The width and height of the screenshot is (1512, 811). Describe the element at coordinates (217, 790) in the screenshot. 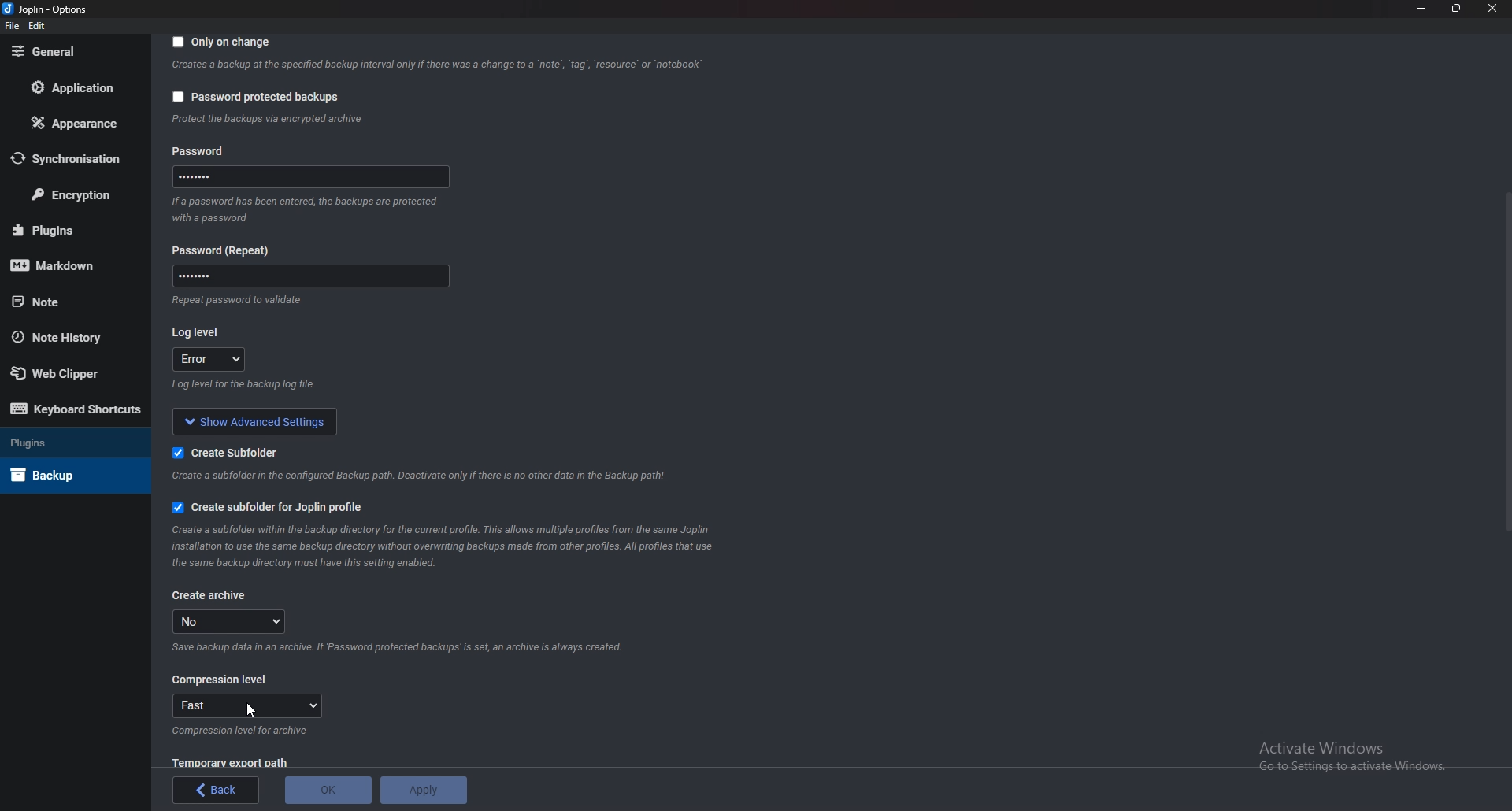

I see `back` at that location.